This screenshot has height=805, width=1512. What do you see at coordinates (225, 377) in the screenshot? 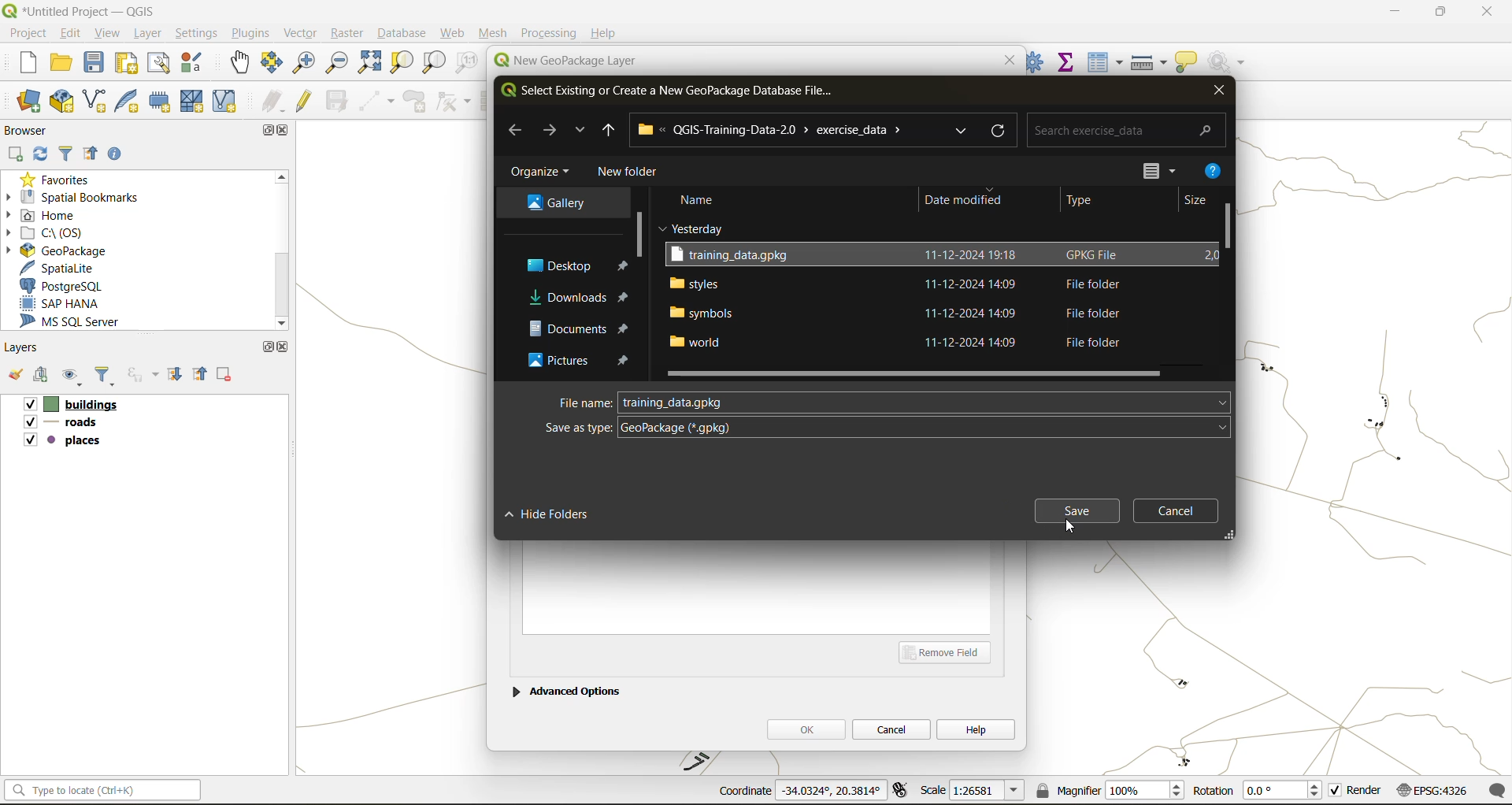
I see `remove` at bounding box center [225, 377].